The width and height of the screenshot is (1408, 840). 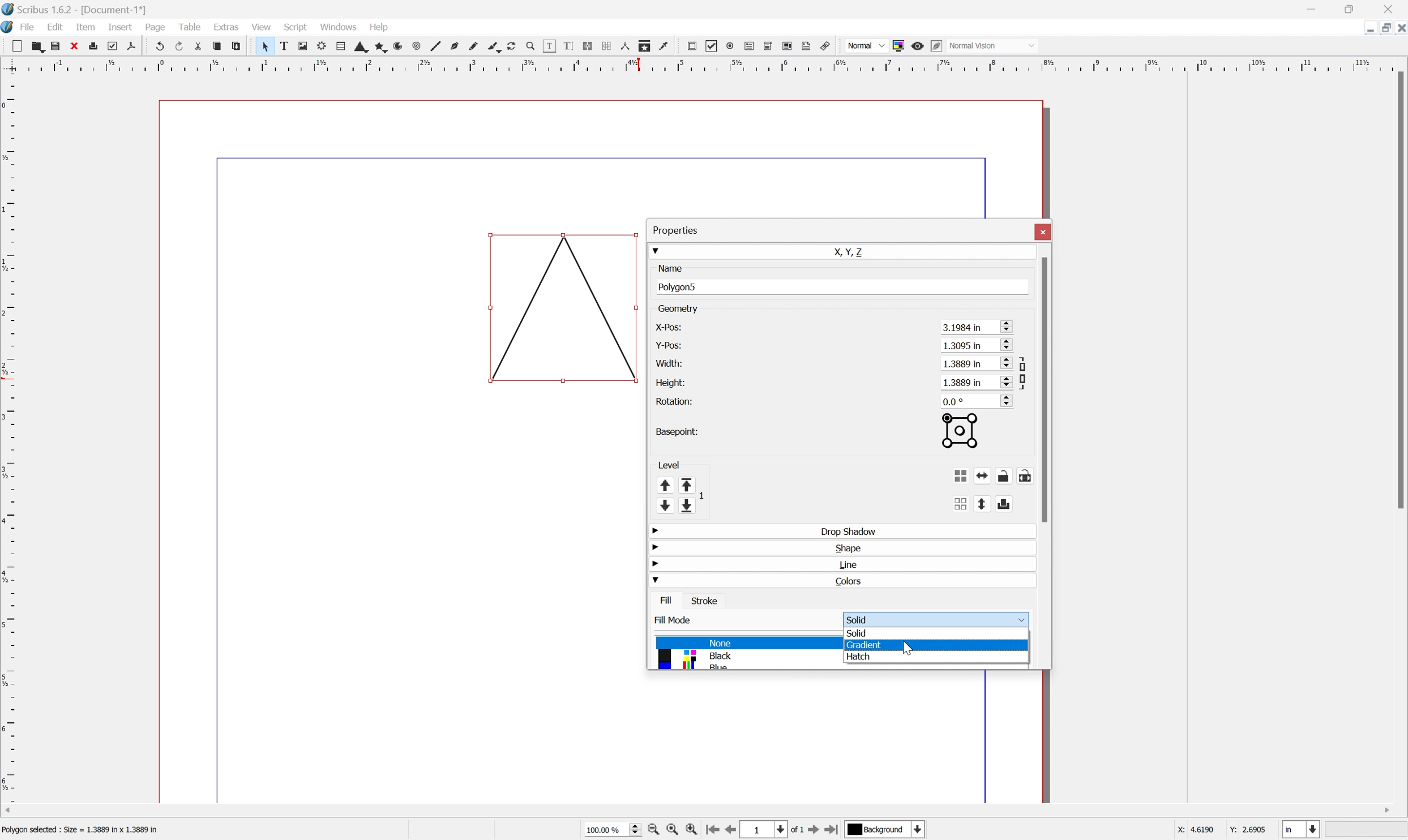 What do you see at coordinates (656, 250) in the screenshot?
I see `Drop Down` at bounding box center [656, 250].